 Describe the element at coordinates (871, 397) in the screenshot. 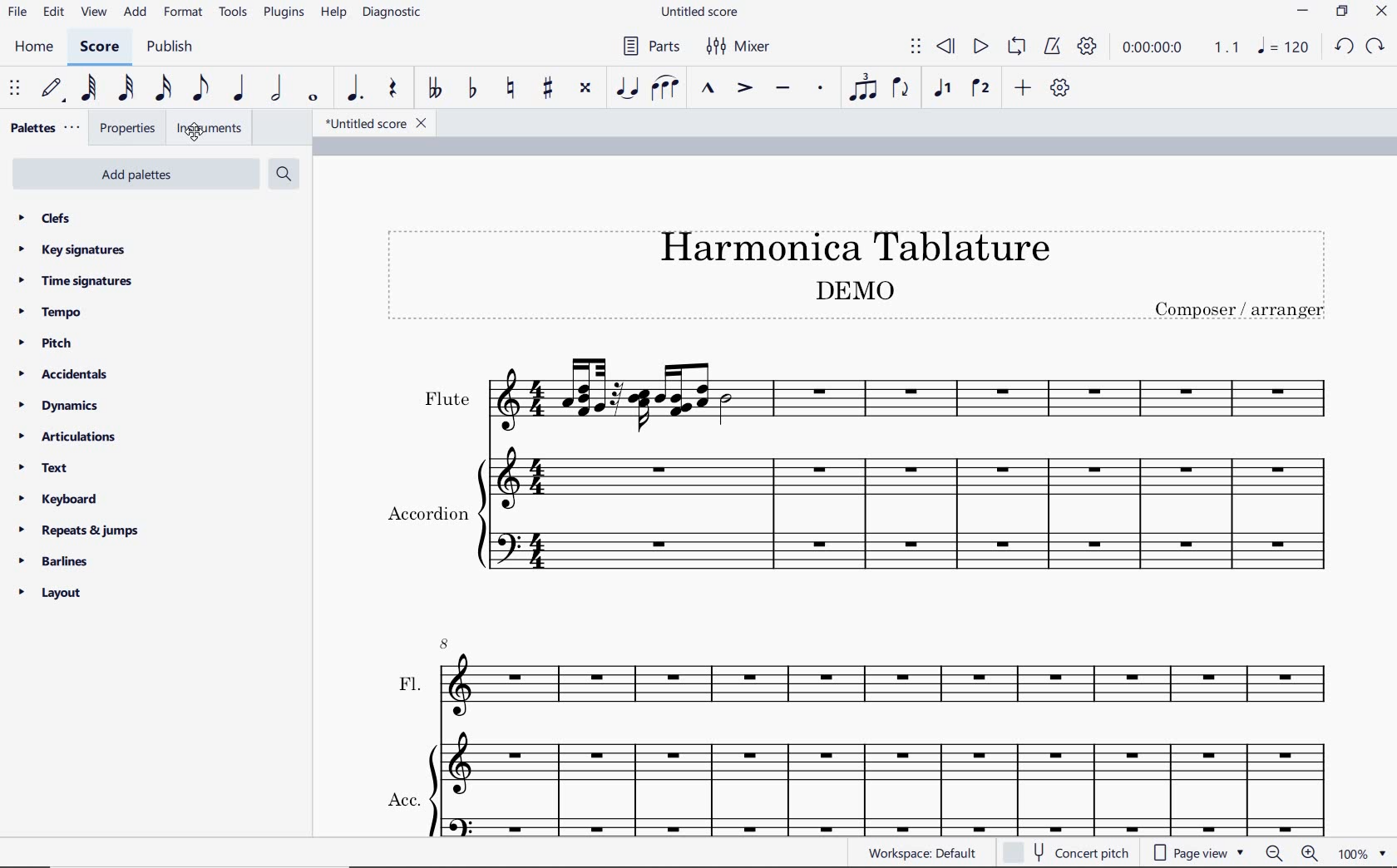

I see `Instrument: Flute` at that location.